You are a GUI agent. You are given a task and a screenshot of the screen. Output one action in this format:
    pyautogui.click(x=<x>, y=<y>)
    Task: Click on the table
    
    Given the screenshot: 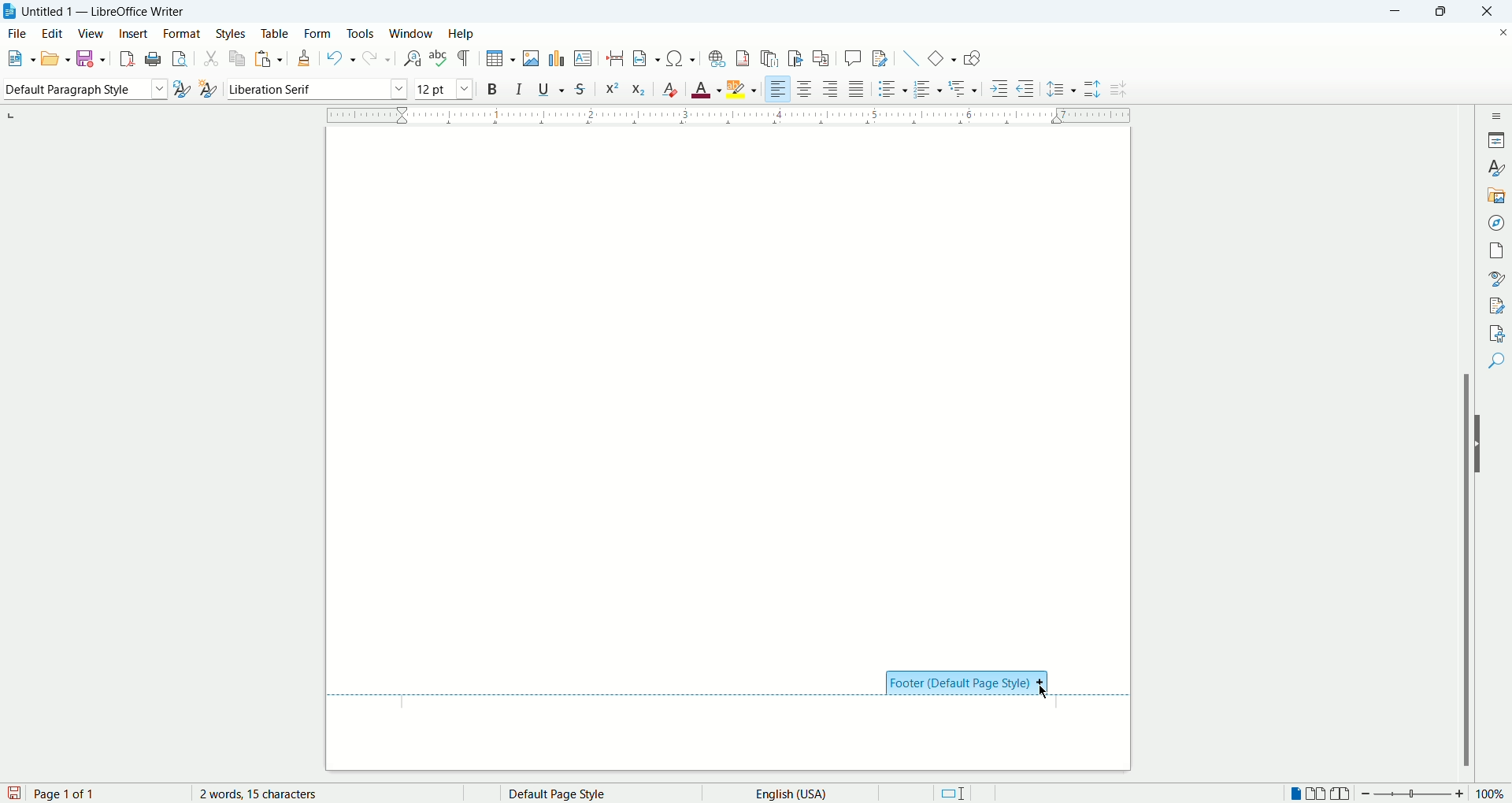 What is the action you would take?
    pyautogui.click(x=275, y=31)
    